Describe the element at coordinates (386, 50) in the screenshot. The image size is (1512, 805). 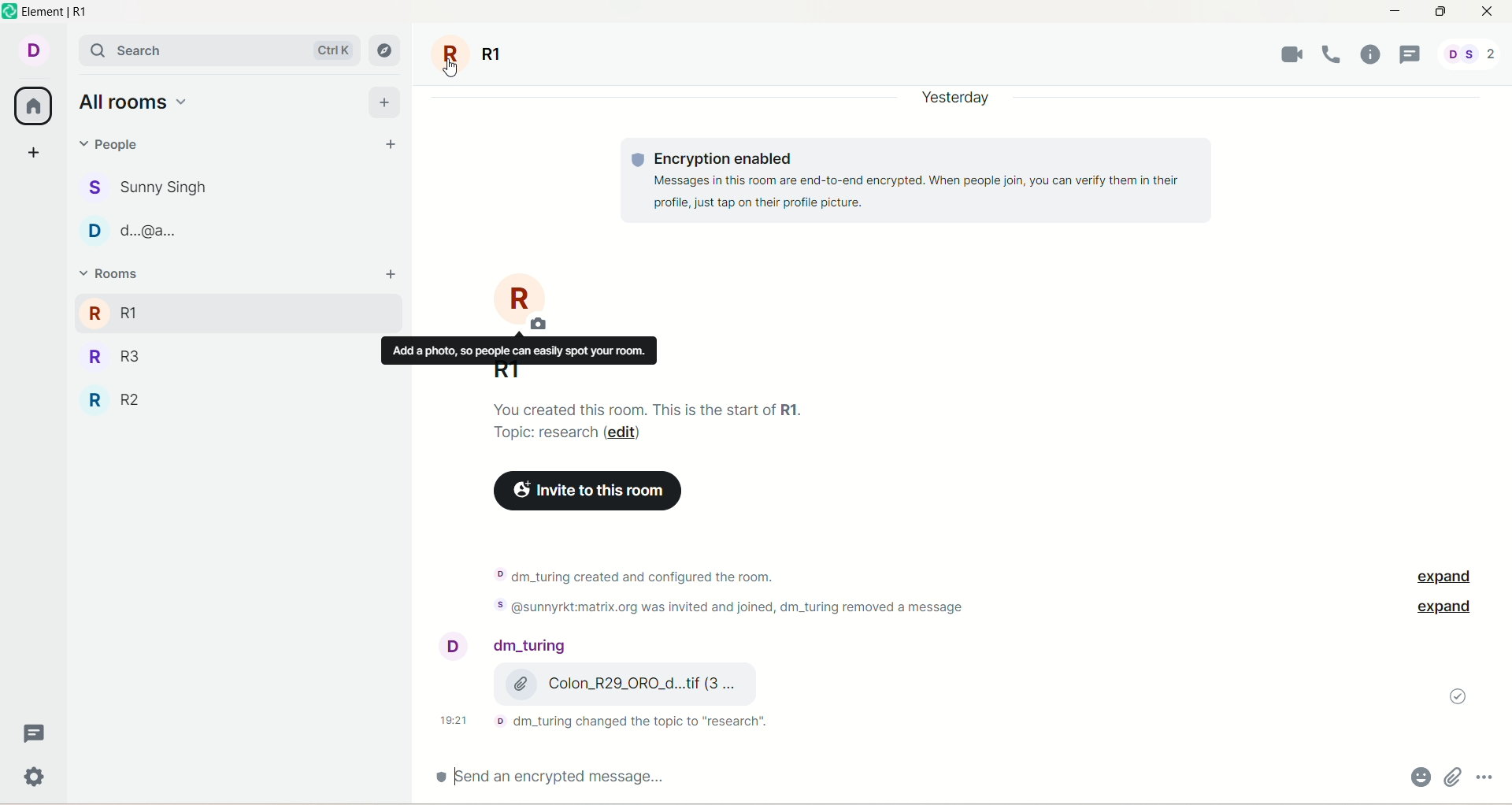
I see `explore room` at that location.